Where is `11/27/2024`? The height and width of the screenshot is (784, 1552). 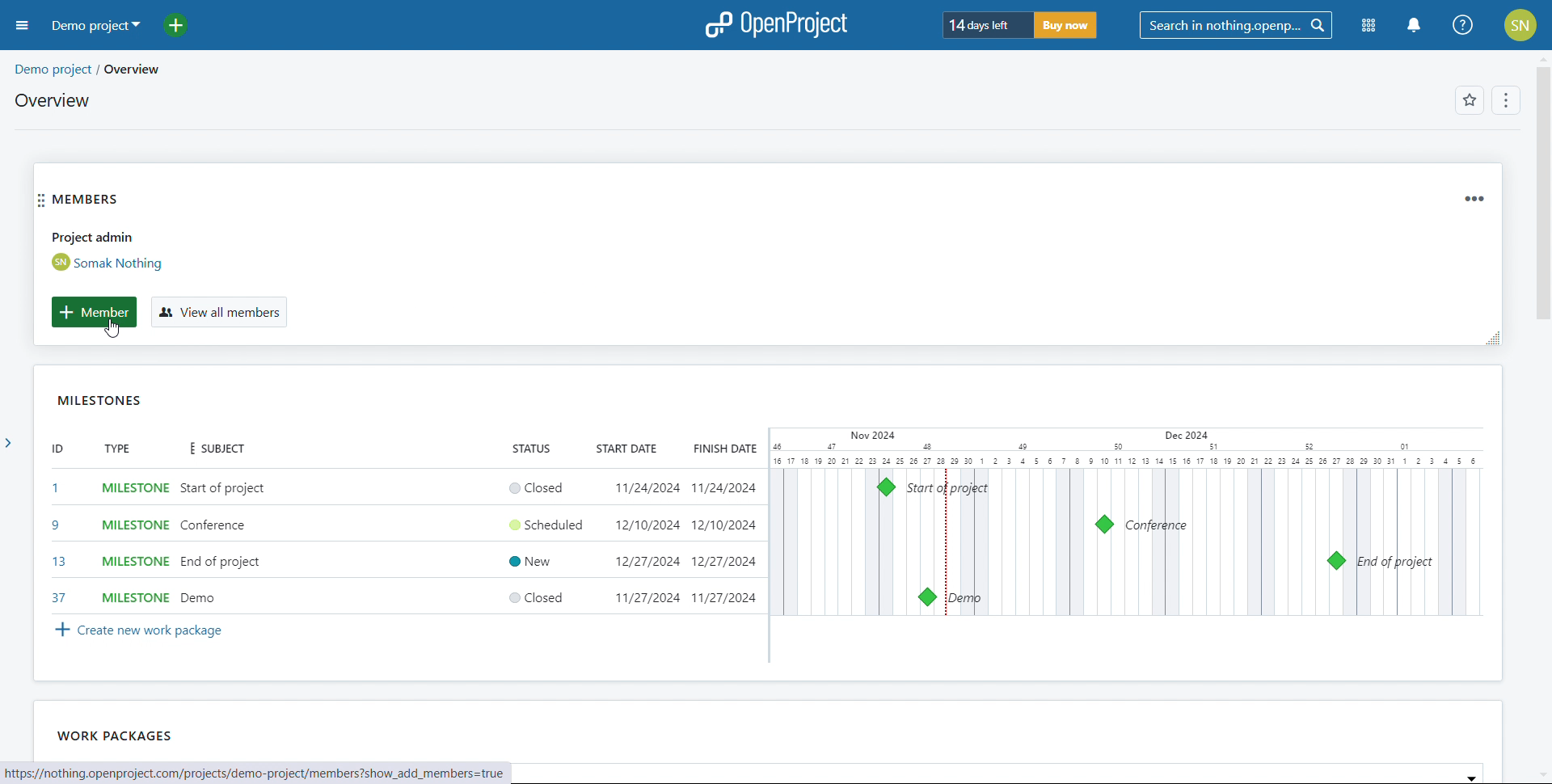
11/27/2024 is located at coordinates (643, 597).